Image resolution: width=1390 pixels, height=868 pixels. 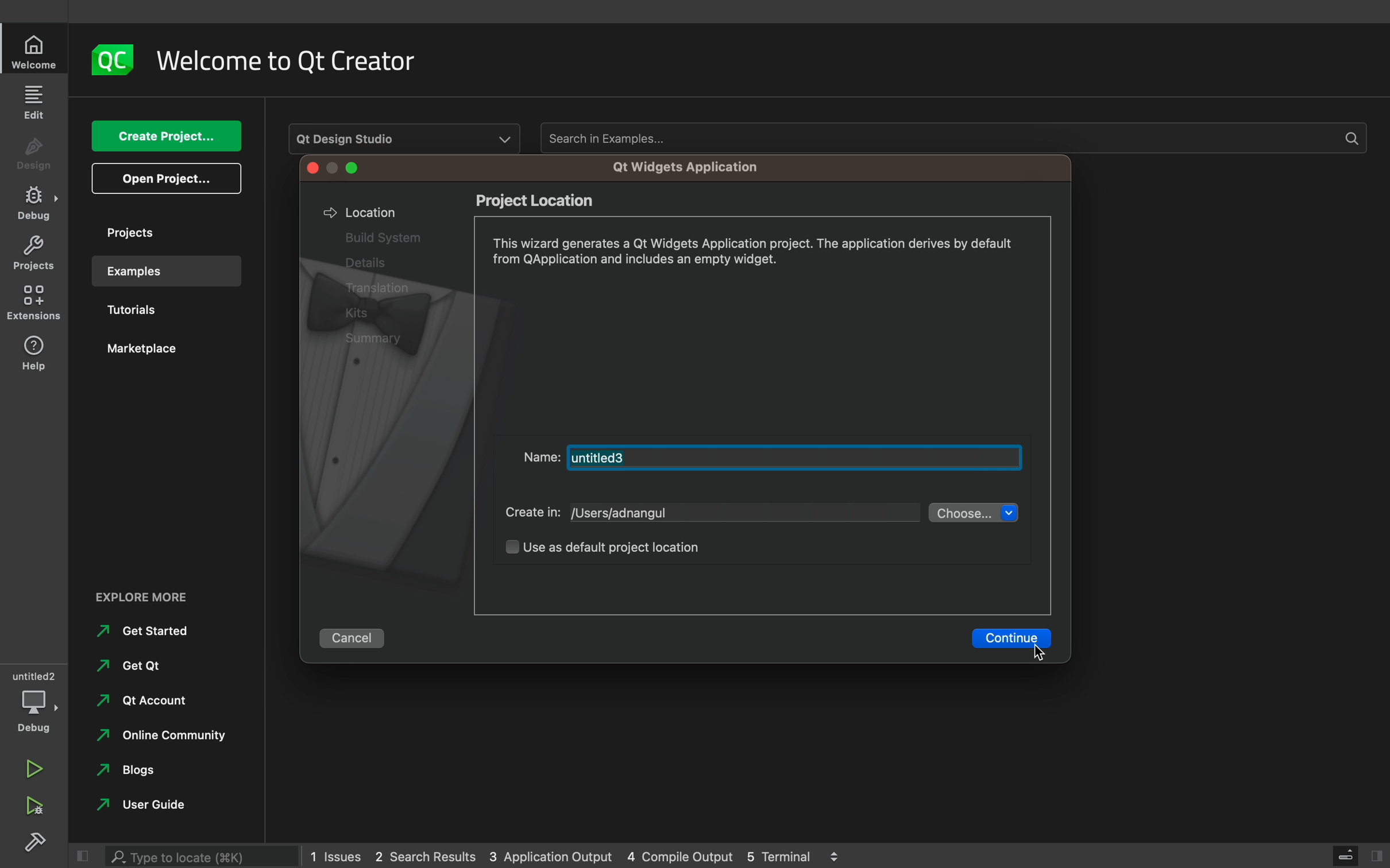 What do you see at coordinates (338, 168) in the screenshot?
I see `window bar` at bounding box center [338, 168].